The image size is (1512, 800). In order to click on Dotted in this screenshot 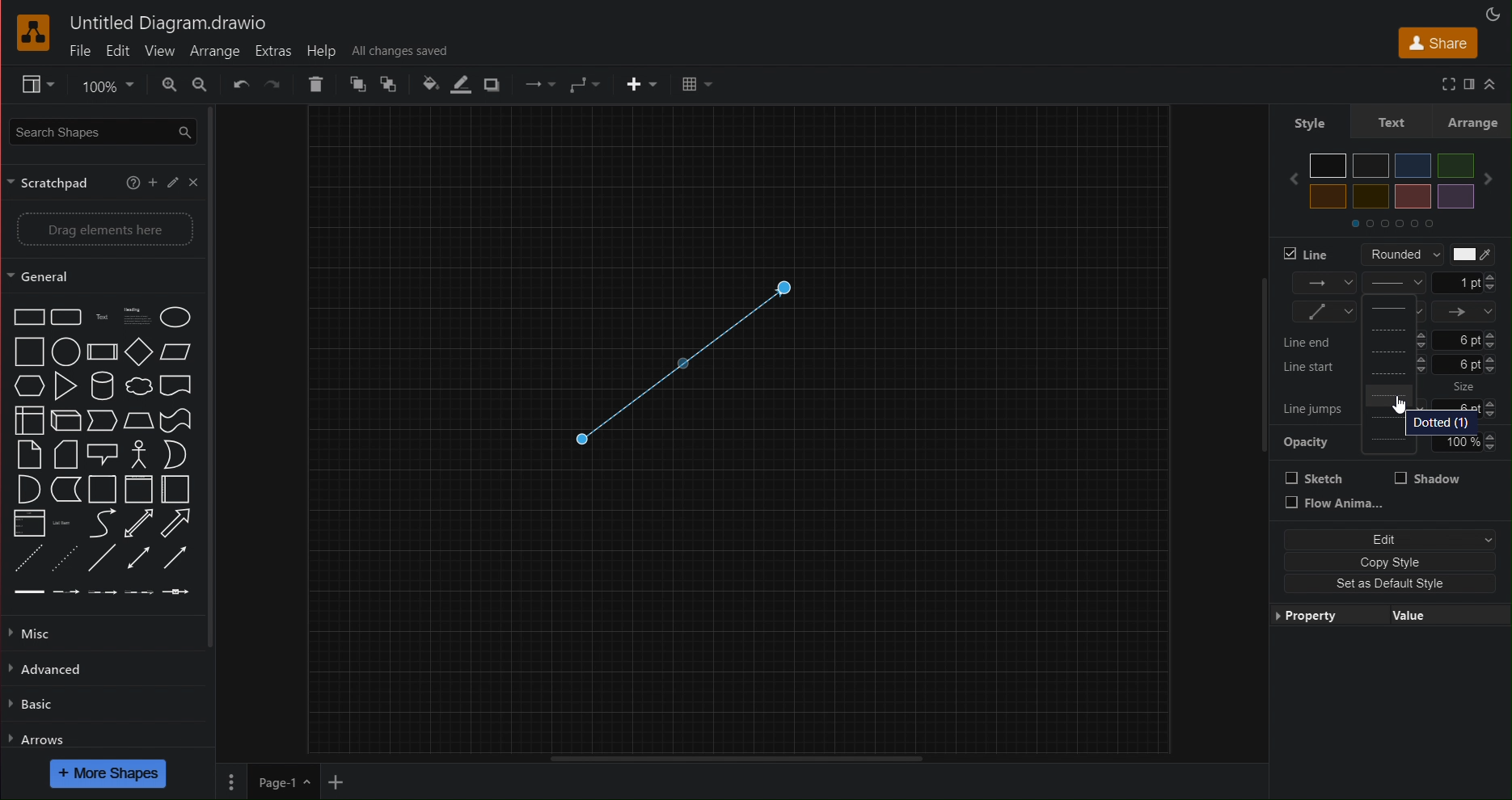, I will do `click(1442, 423)`.